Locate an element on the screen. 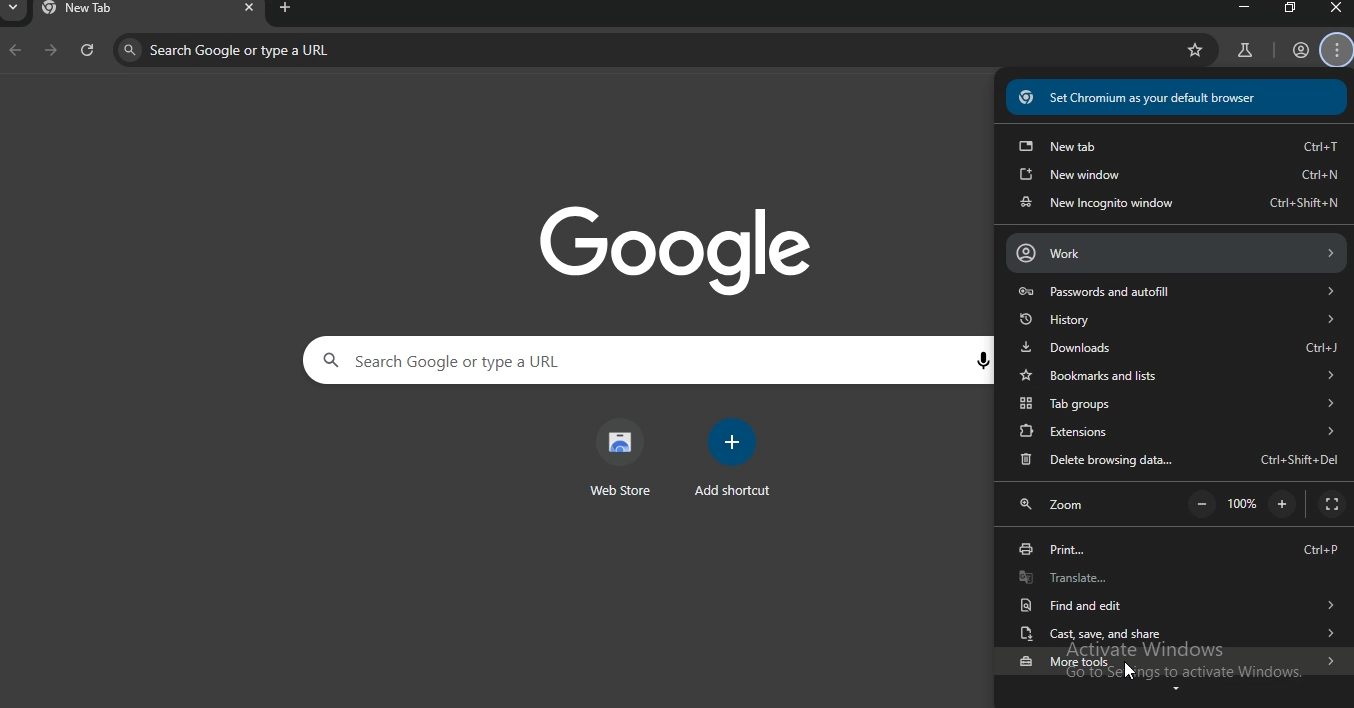  new tab is located at coordinates (103, 10).